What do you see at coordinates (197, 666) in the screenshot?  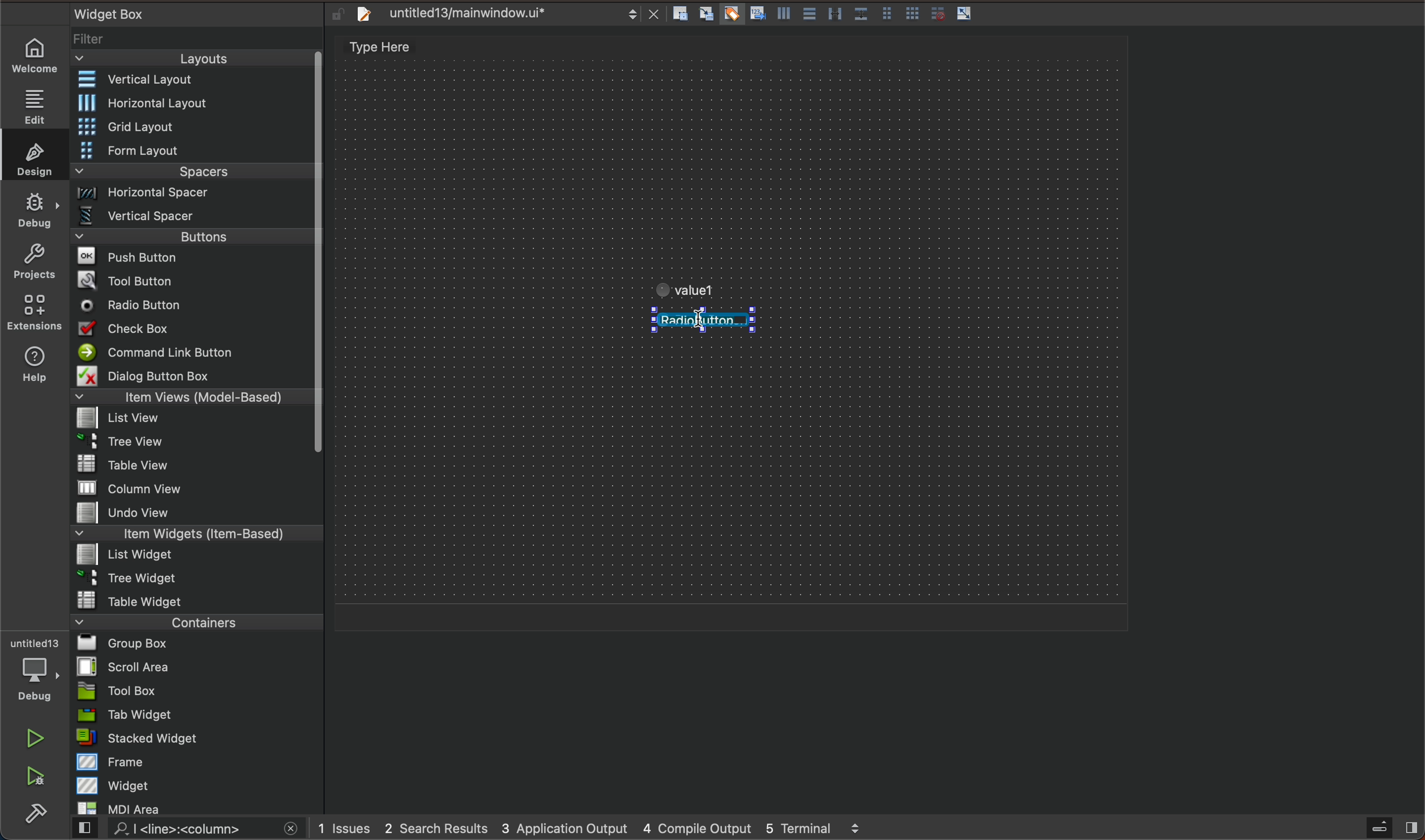 I see `scroll area` at bounding box center [197, 666].